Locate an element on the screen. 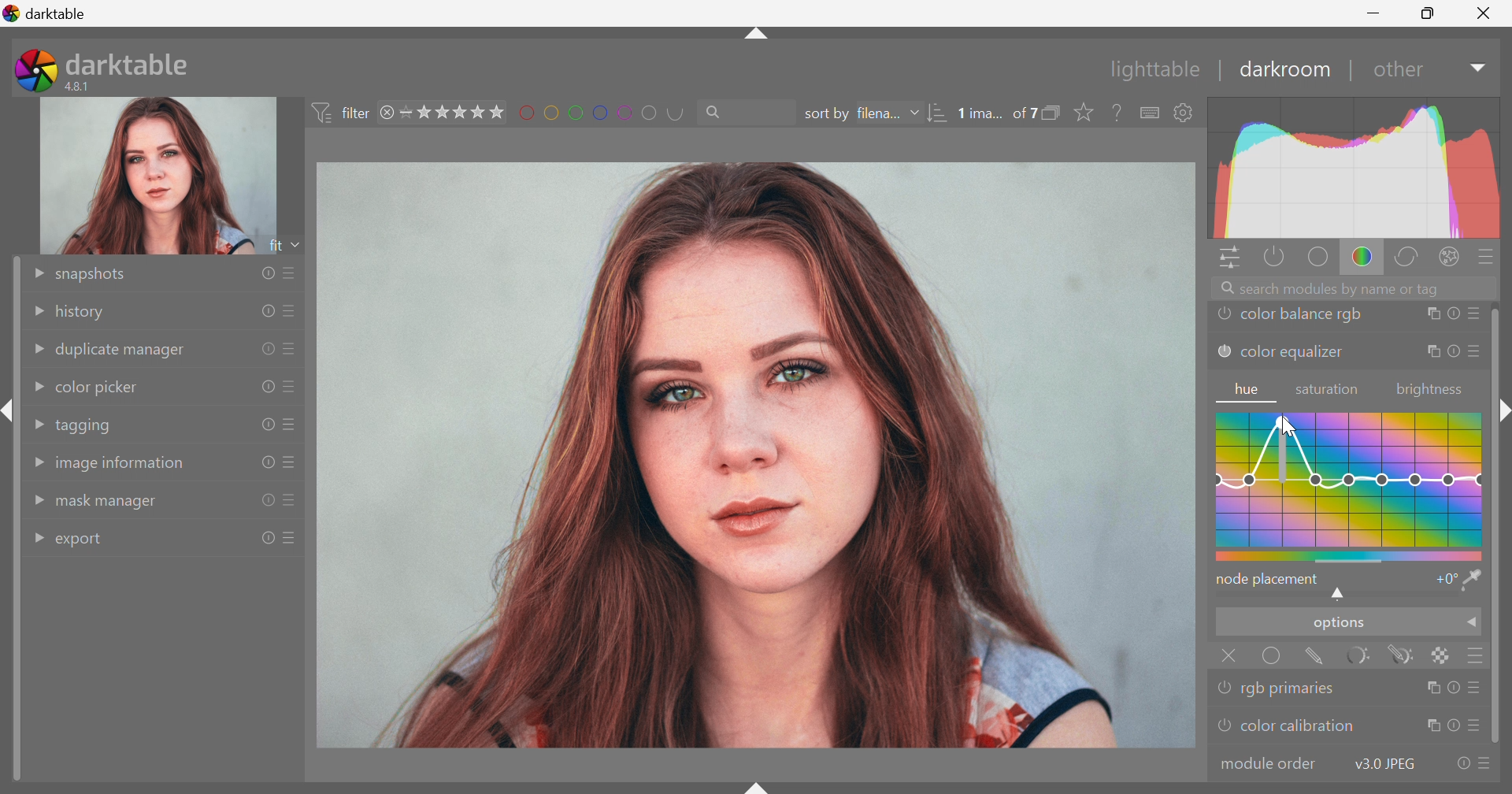 The height and width of the screenshot is (794, 1512). other is located at coordinates (1397, 72).